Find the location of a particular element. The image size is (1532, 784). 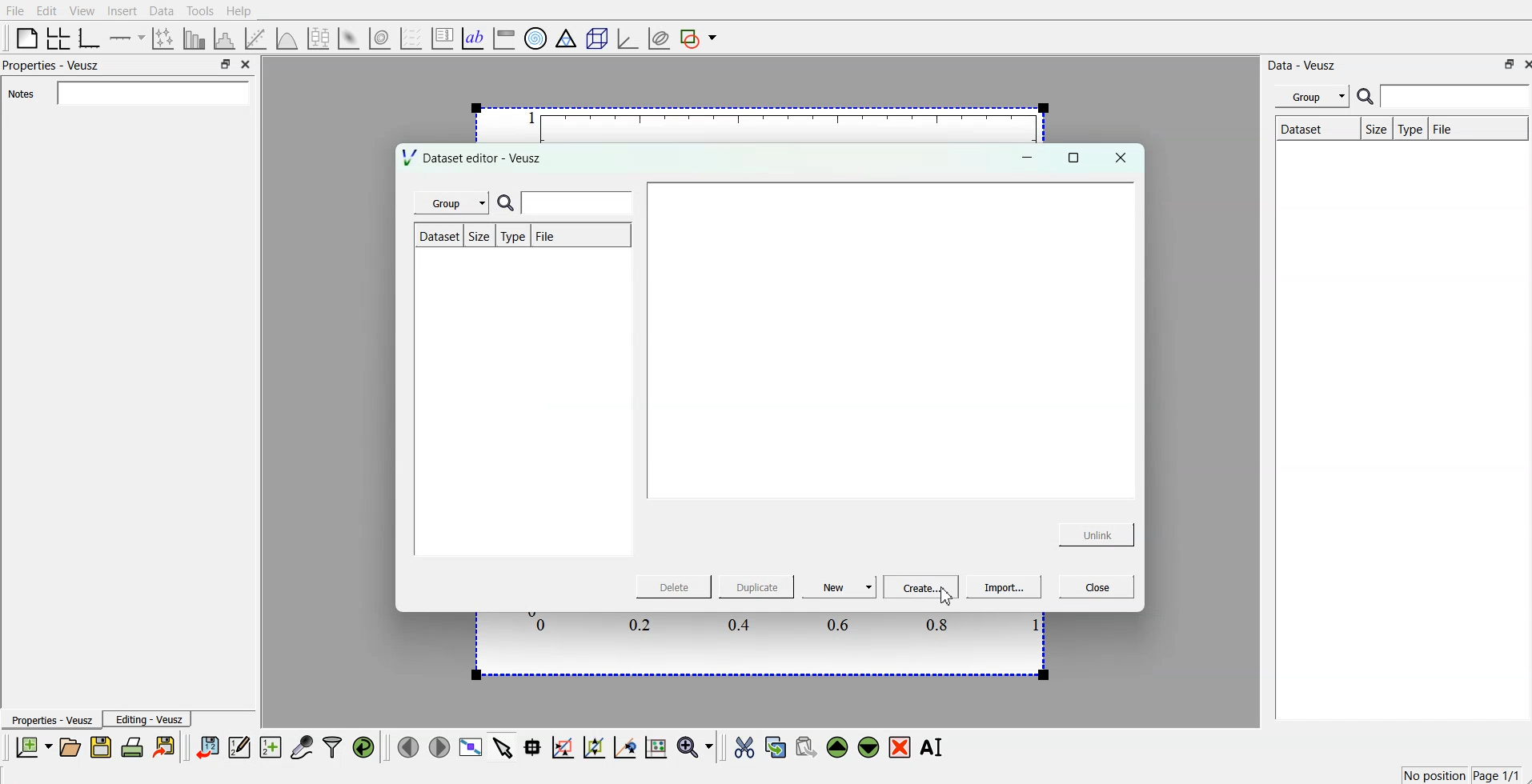

create new datasets is located at coordinates (271, 748).